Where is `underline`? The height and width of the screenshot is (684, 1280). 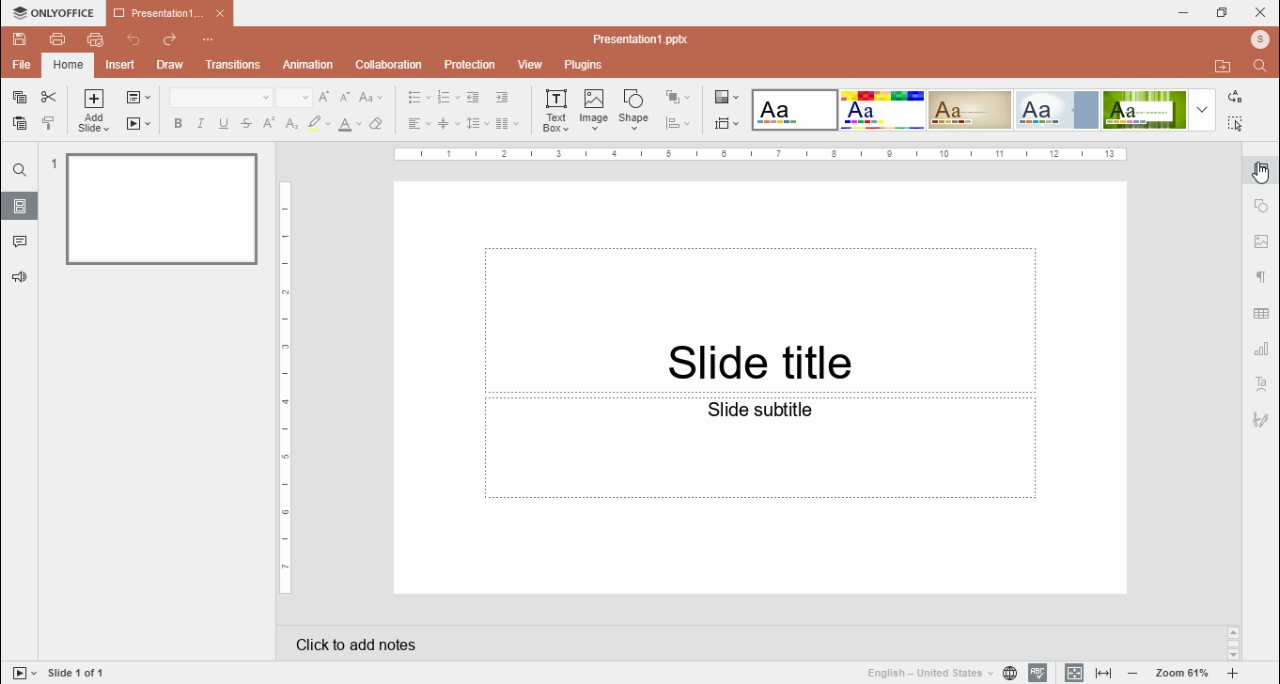 underline is located at coordinates (224, 124).